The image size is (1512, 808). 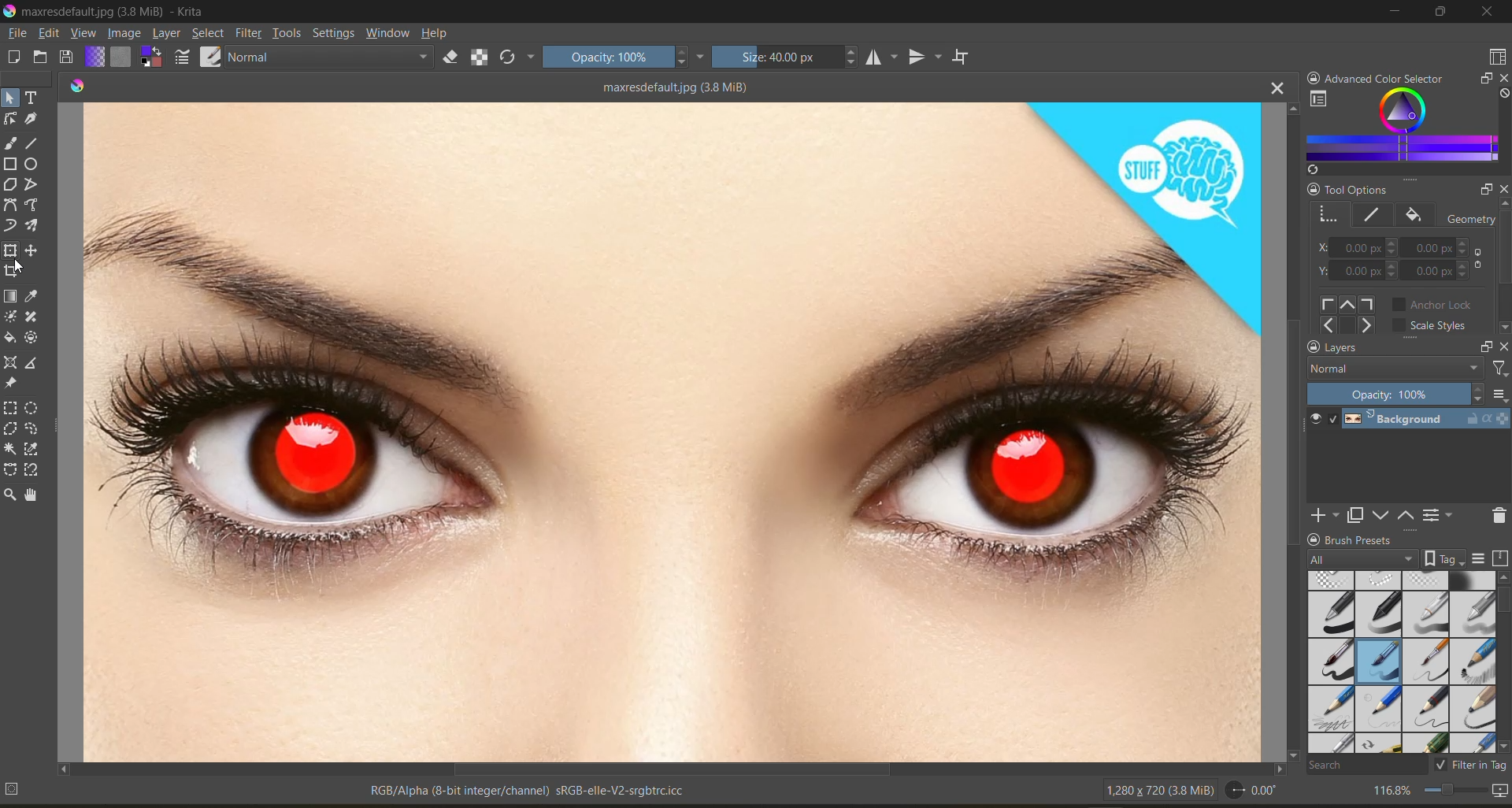 I want to click on tool, so click(x=10, y=297).